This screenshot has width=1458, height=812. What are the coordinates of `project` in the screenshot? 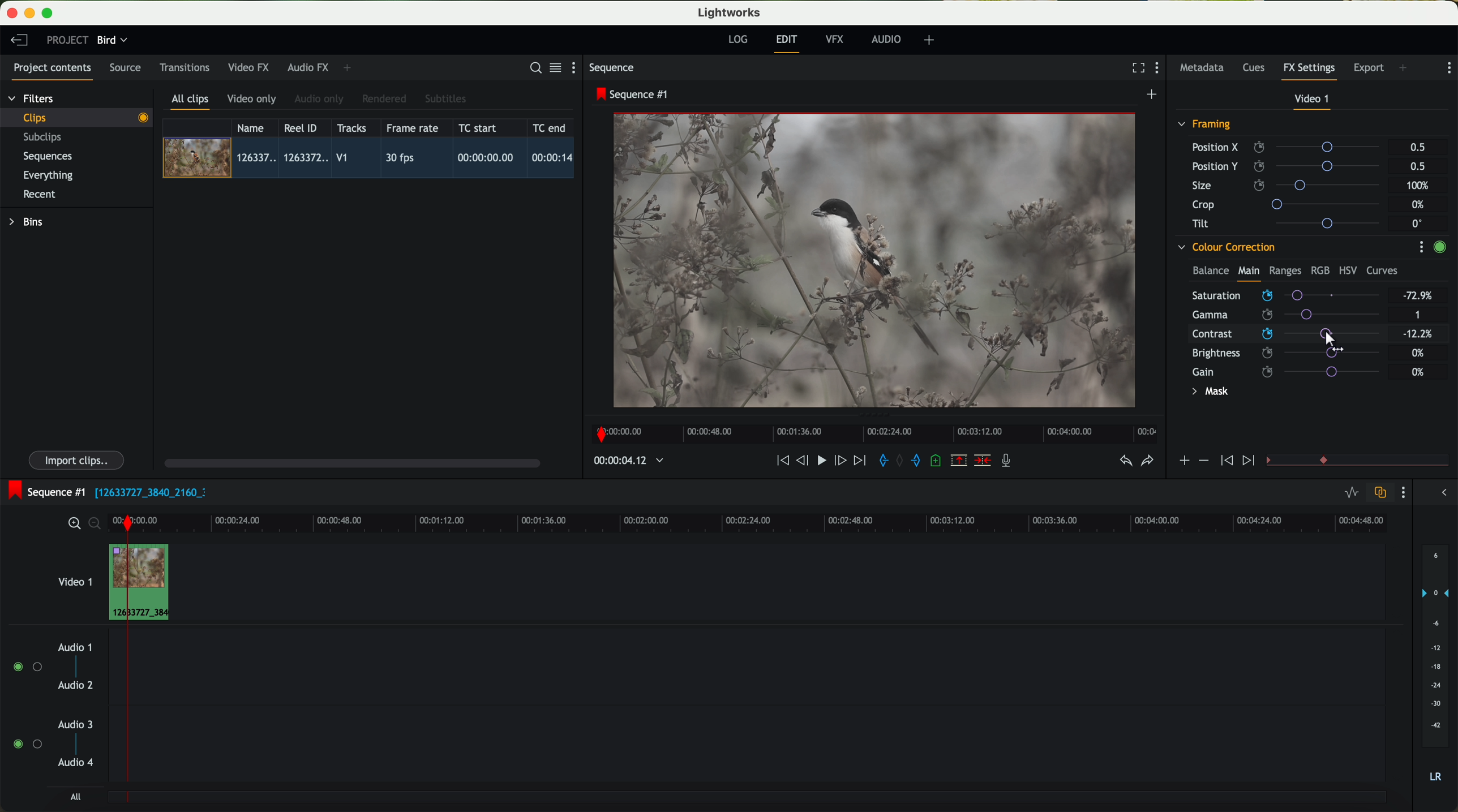 It's located at (67, 40).